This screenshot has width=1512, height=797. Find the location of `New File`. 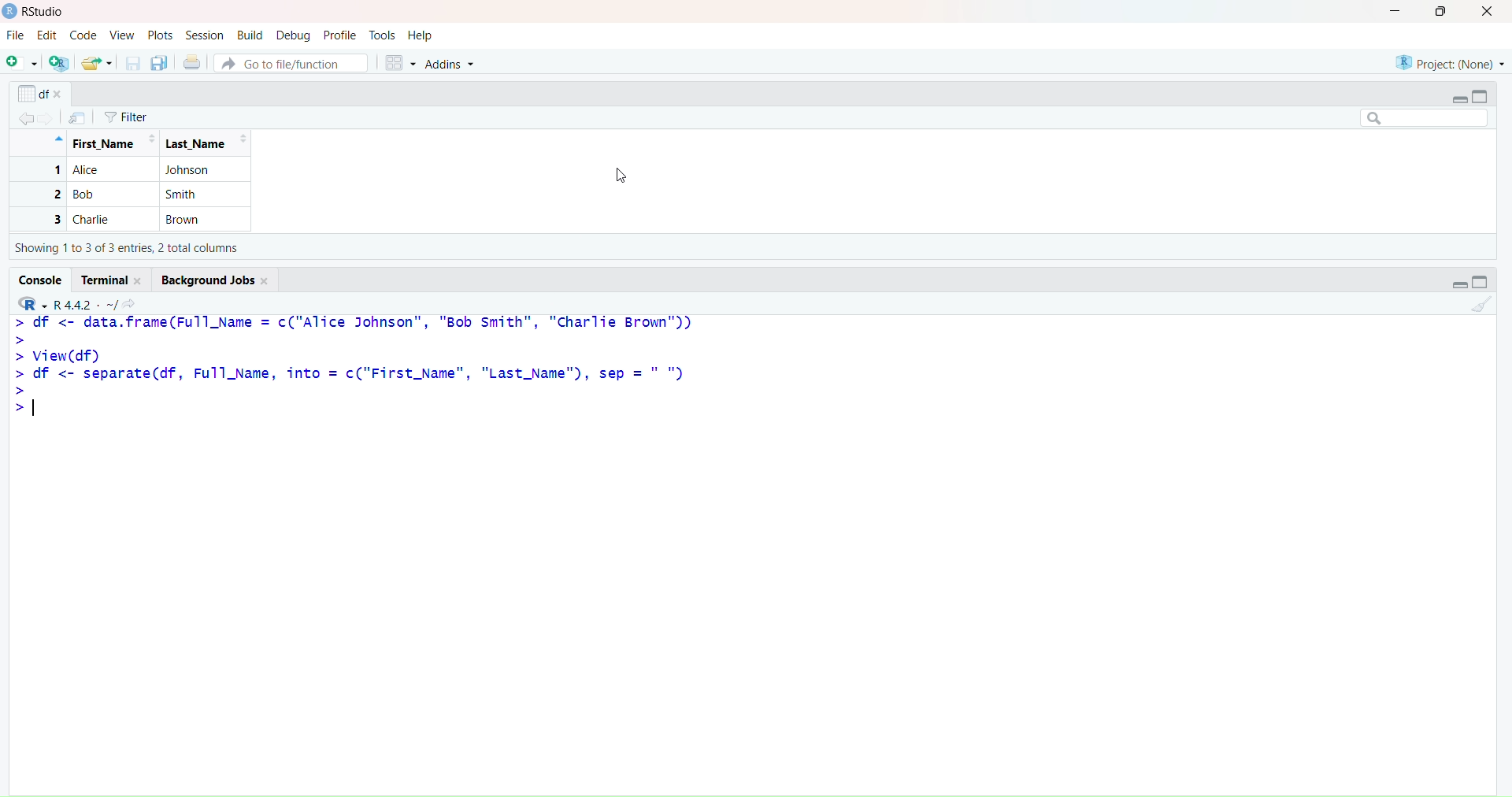

New File is located at coordinates (20, 62).